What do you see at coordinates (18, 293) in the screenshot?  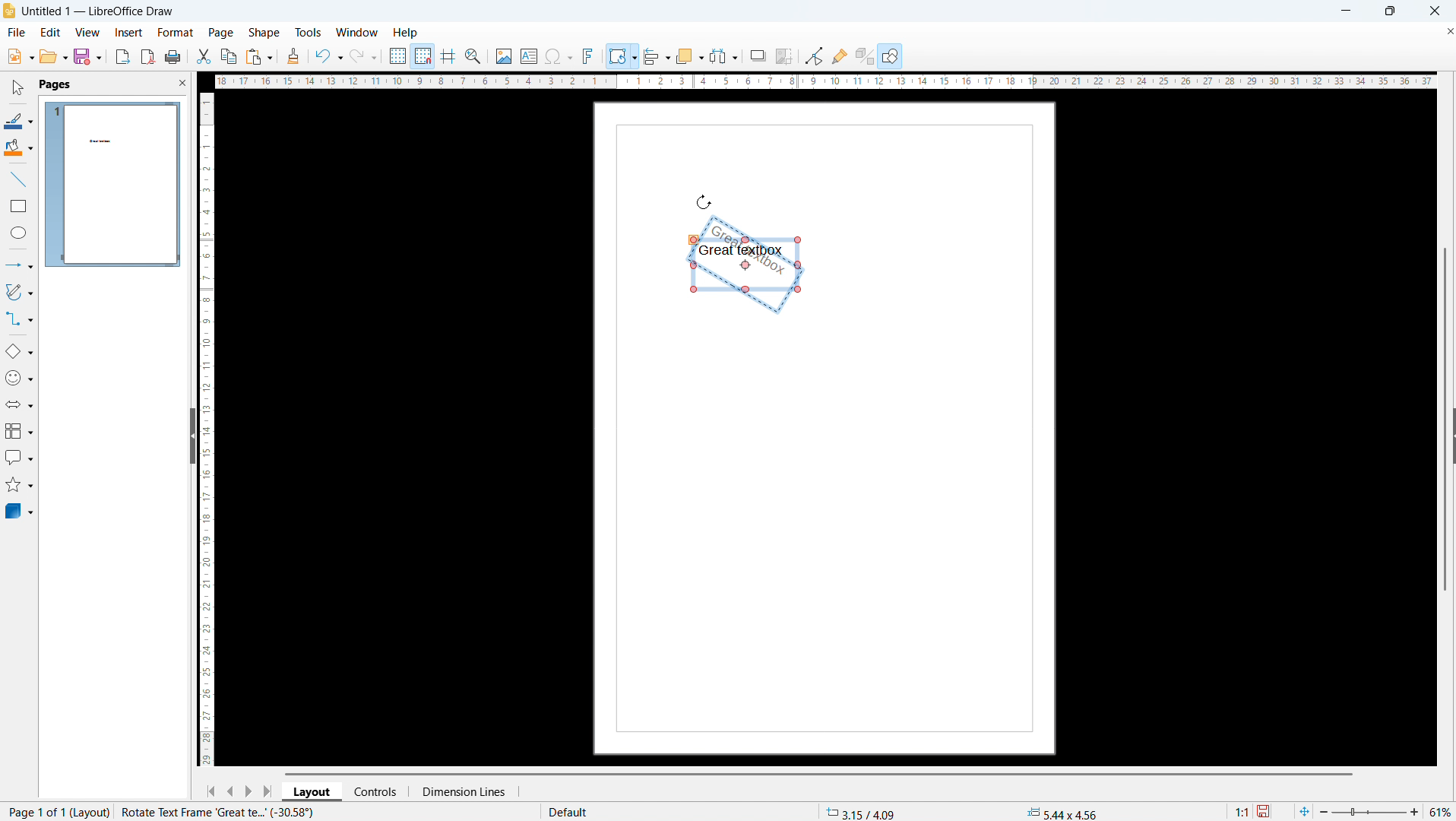 I see `curves and polygons` at bounding box center [18, 293].